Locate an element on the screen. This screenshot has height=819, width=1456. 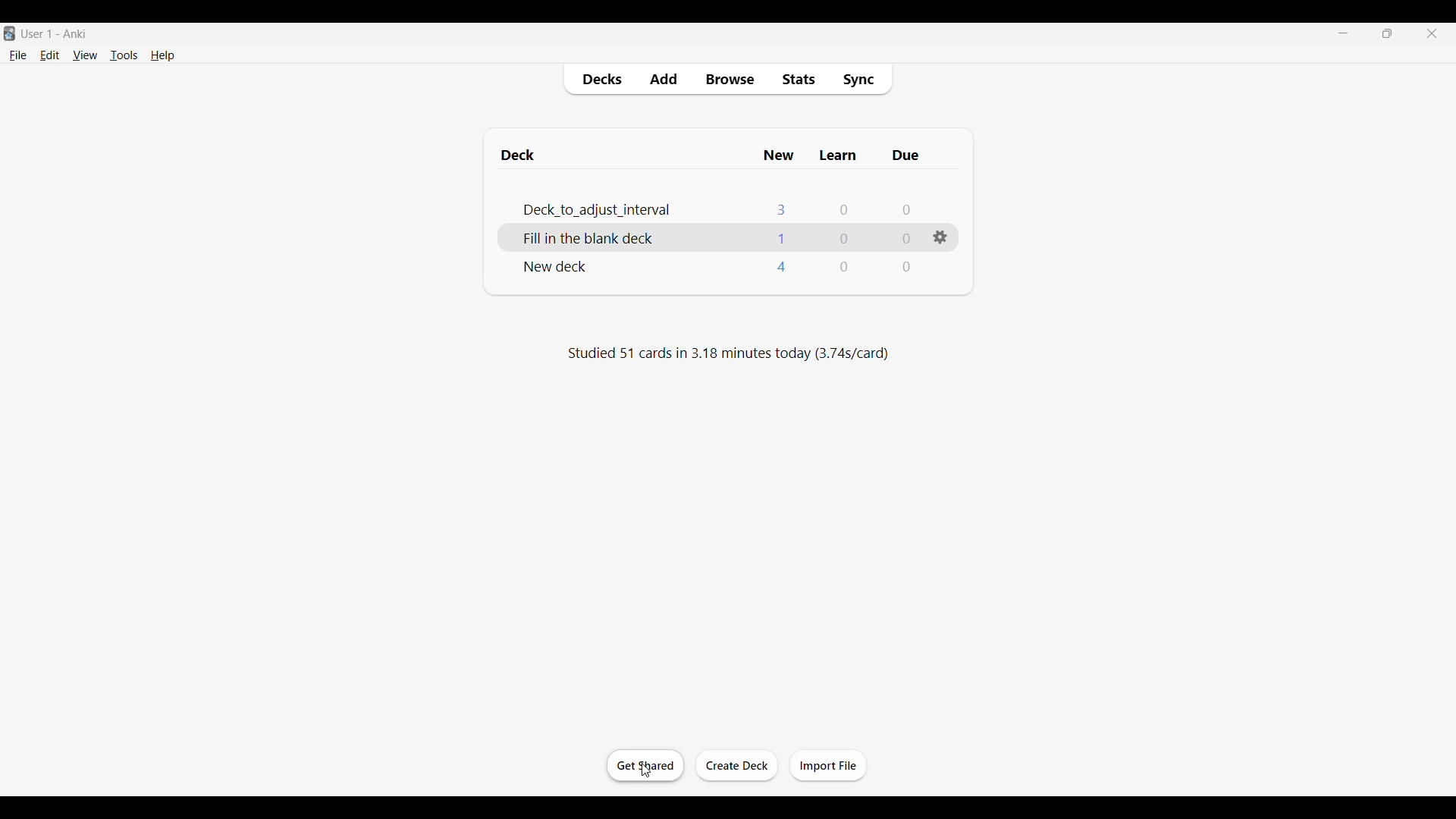
0 is located at coordinates (903, 238).